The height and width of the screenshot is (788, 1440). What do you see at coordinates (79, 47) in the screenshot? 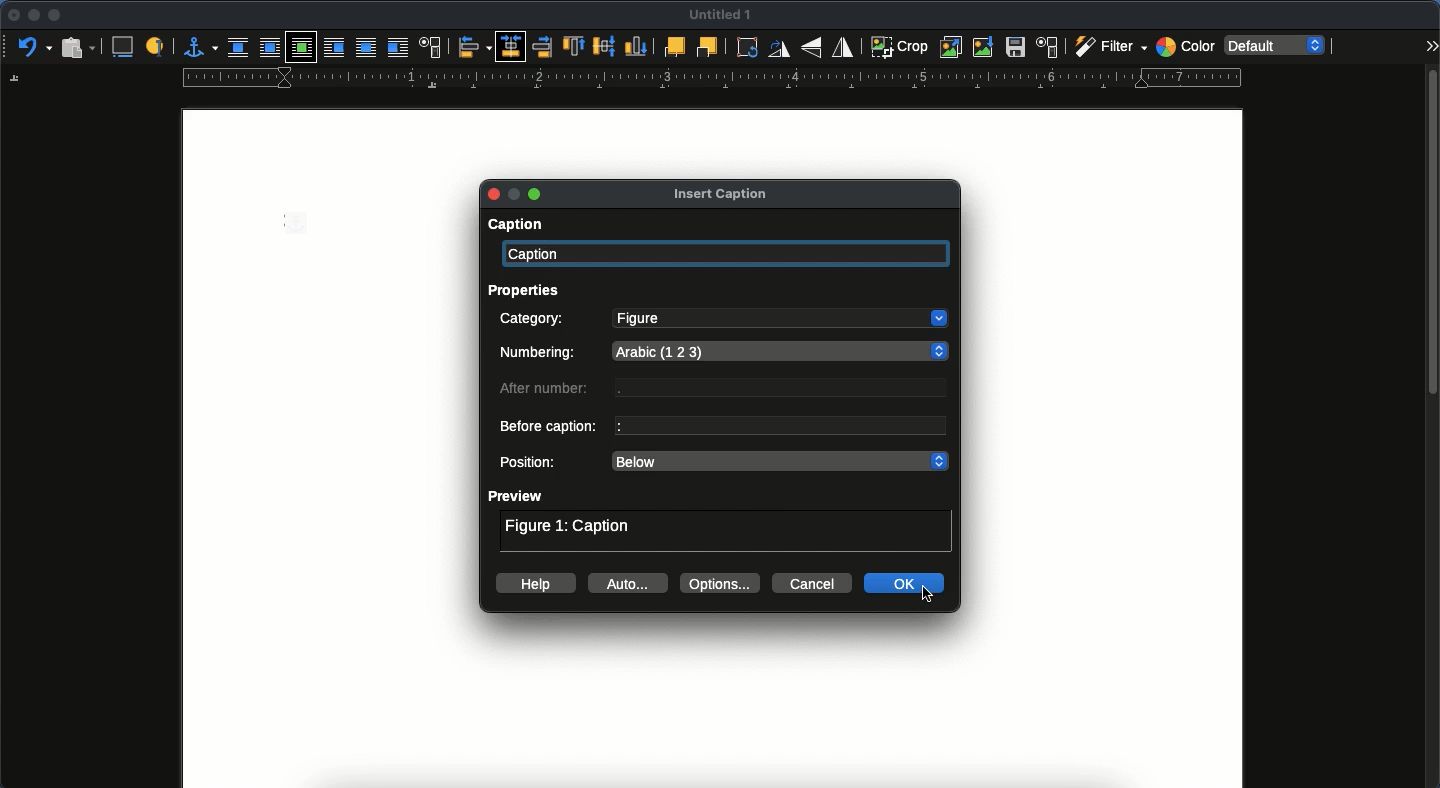
I see `paste` at bounding box center [79, 47].